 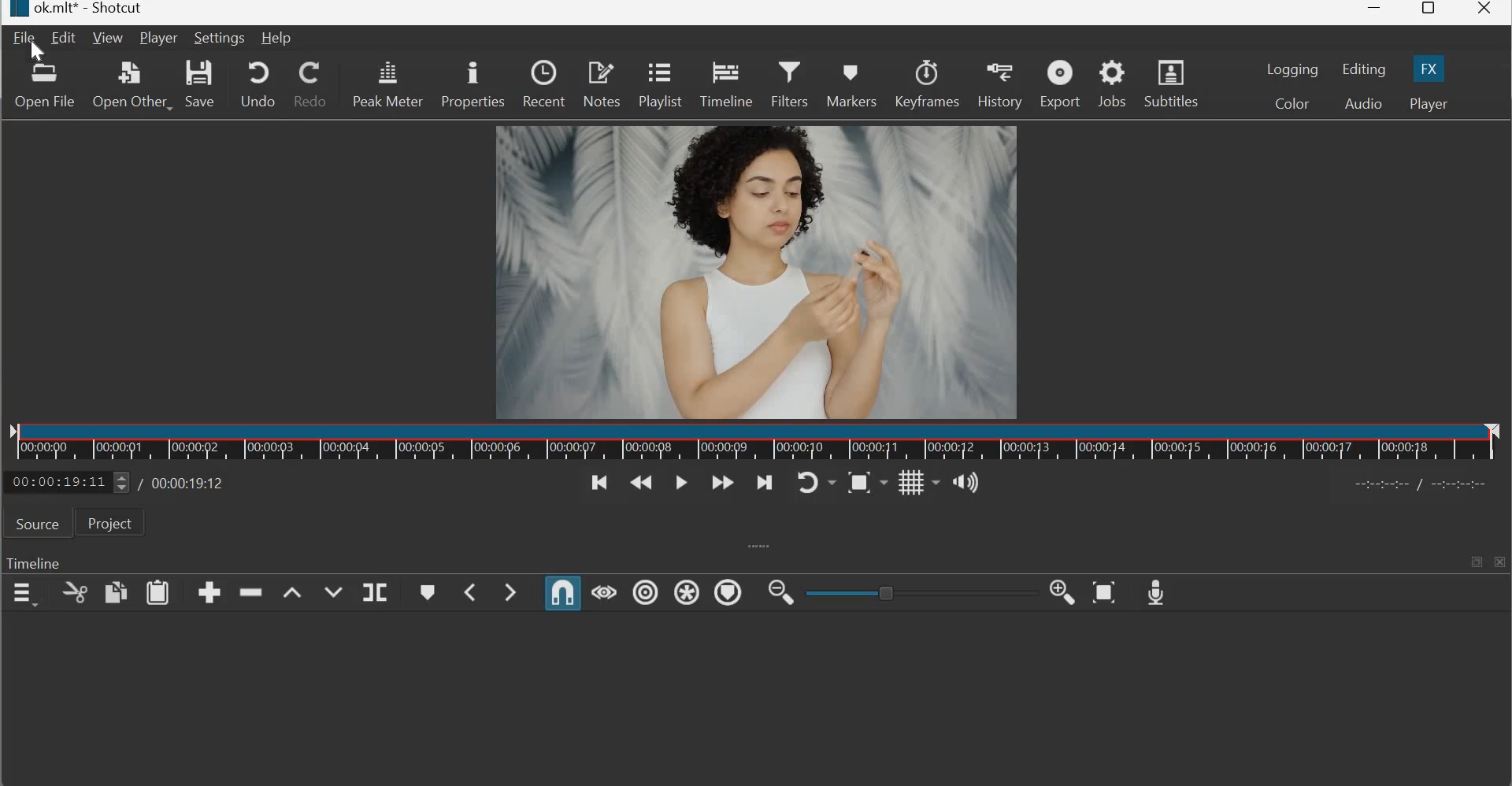 What do you see at coordinates (543, 82) in the screenshot?
I see `Recent` at bounding box center [543, 82].